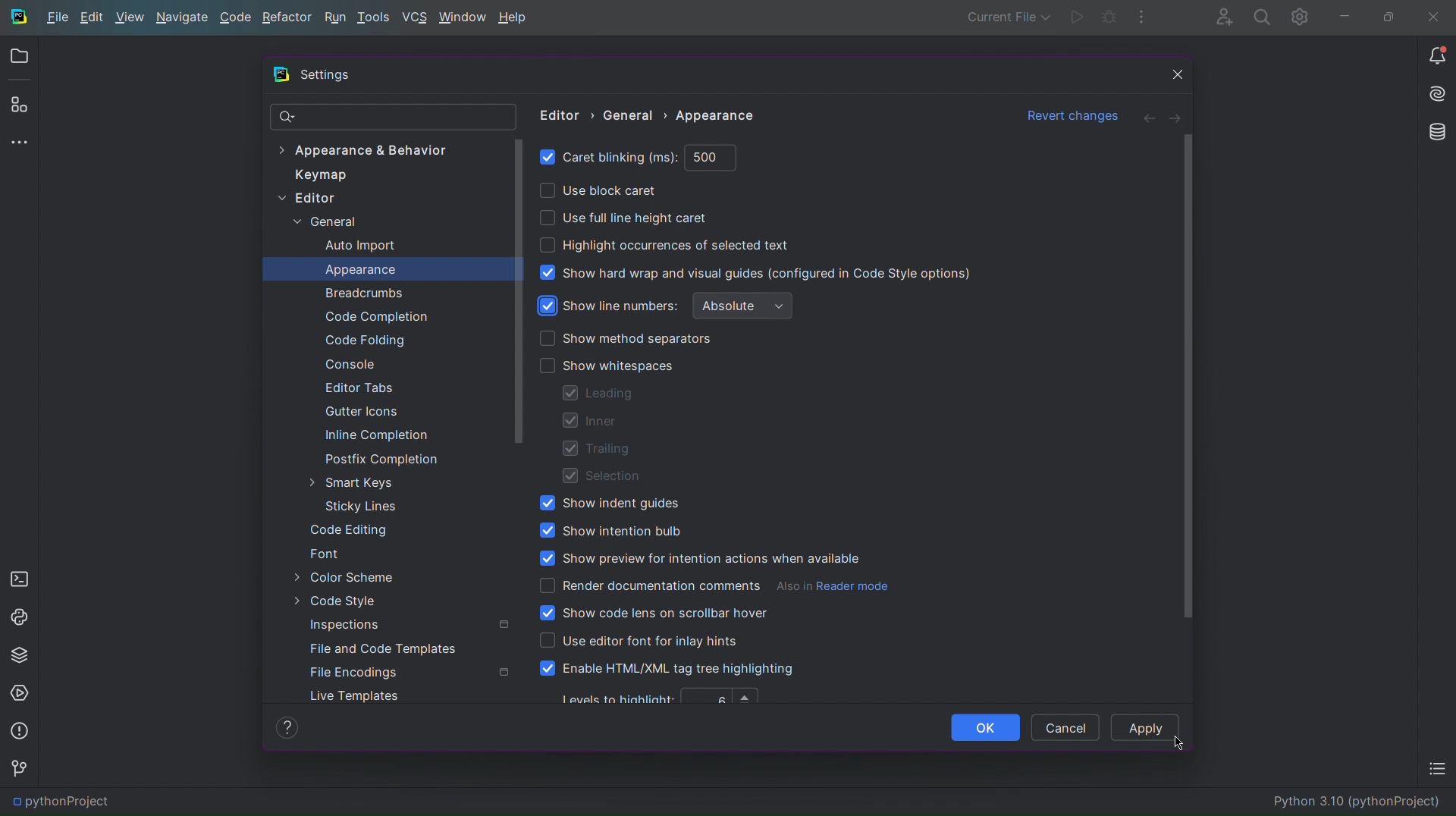 Image resolution: width=1456 pixels, height=816 pixels. I want to click on Services, so click(21, 693).